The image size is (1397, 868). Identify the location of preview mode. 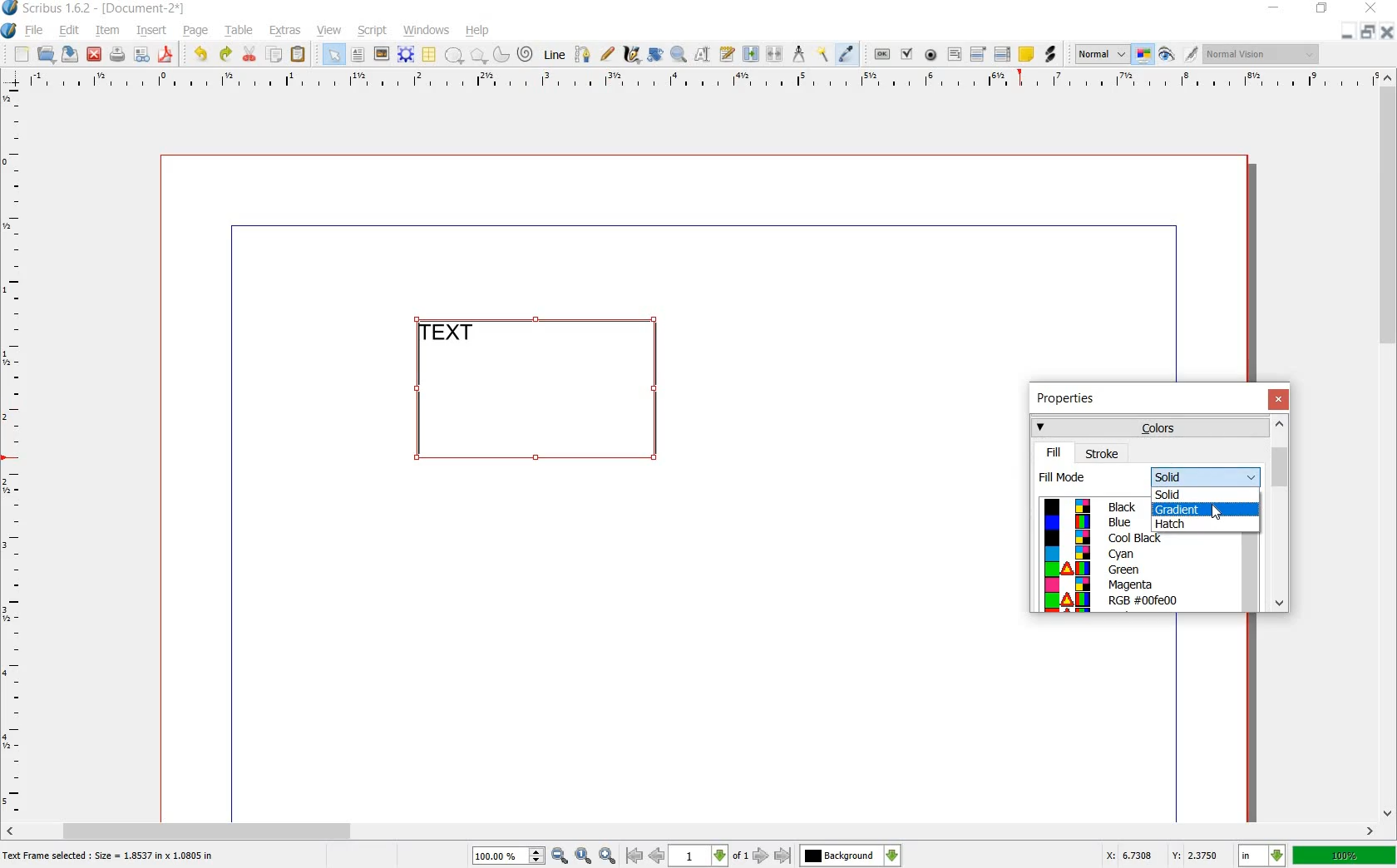
(1167, 54).